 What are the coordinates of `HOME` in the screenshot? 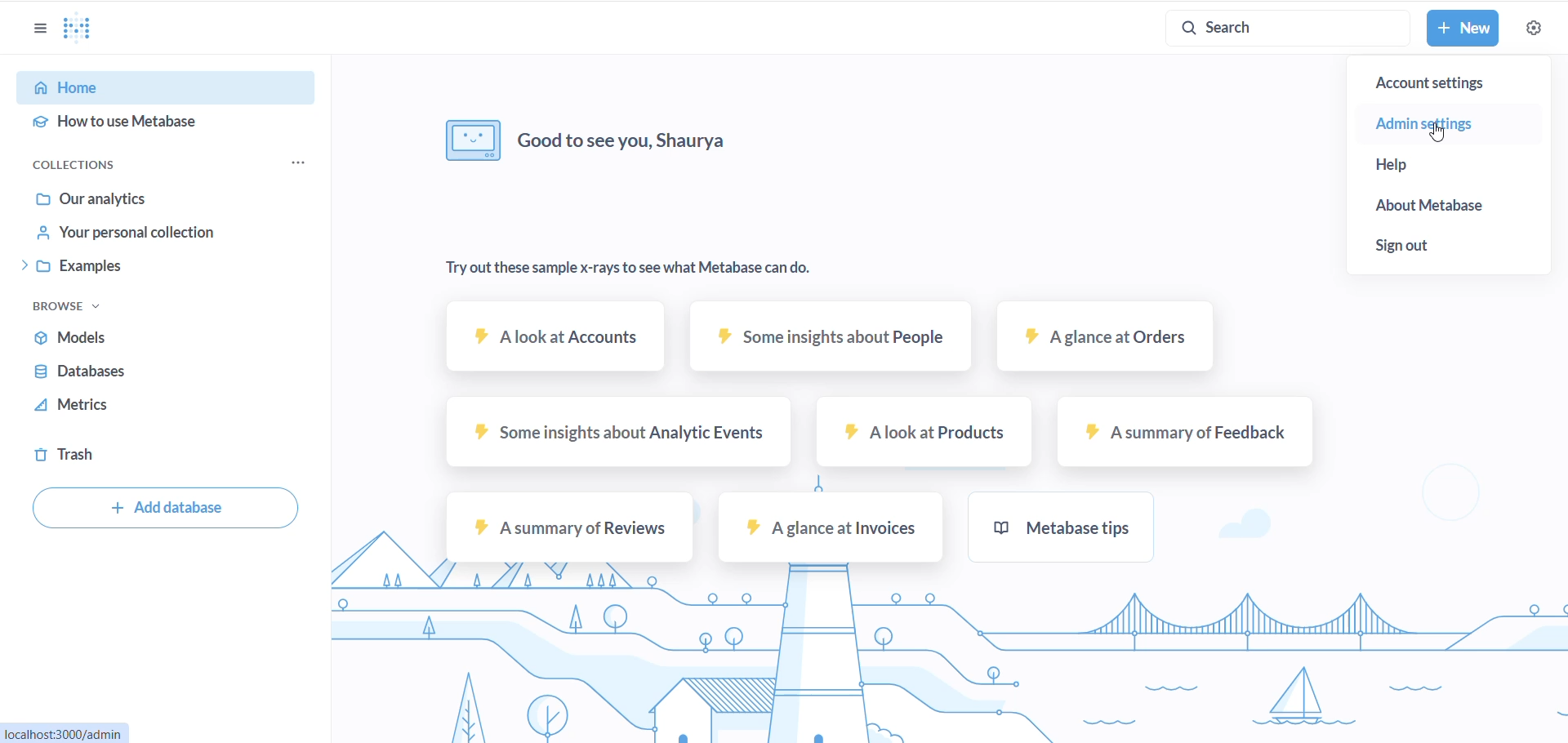 It's located at (144, 89).